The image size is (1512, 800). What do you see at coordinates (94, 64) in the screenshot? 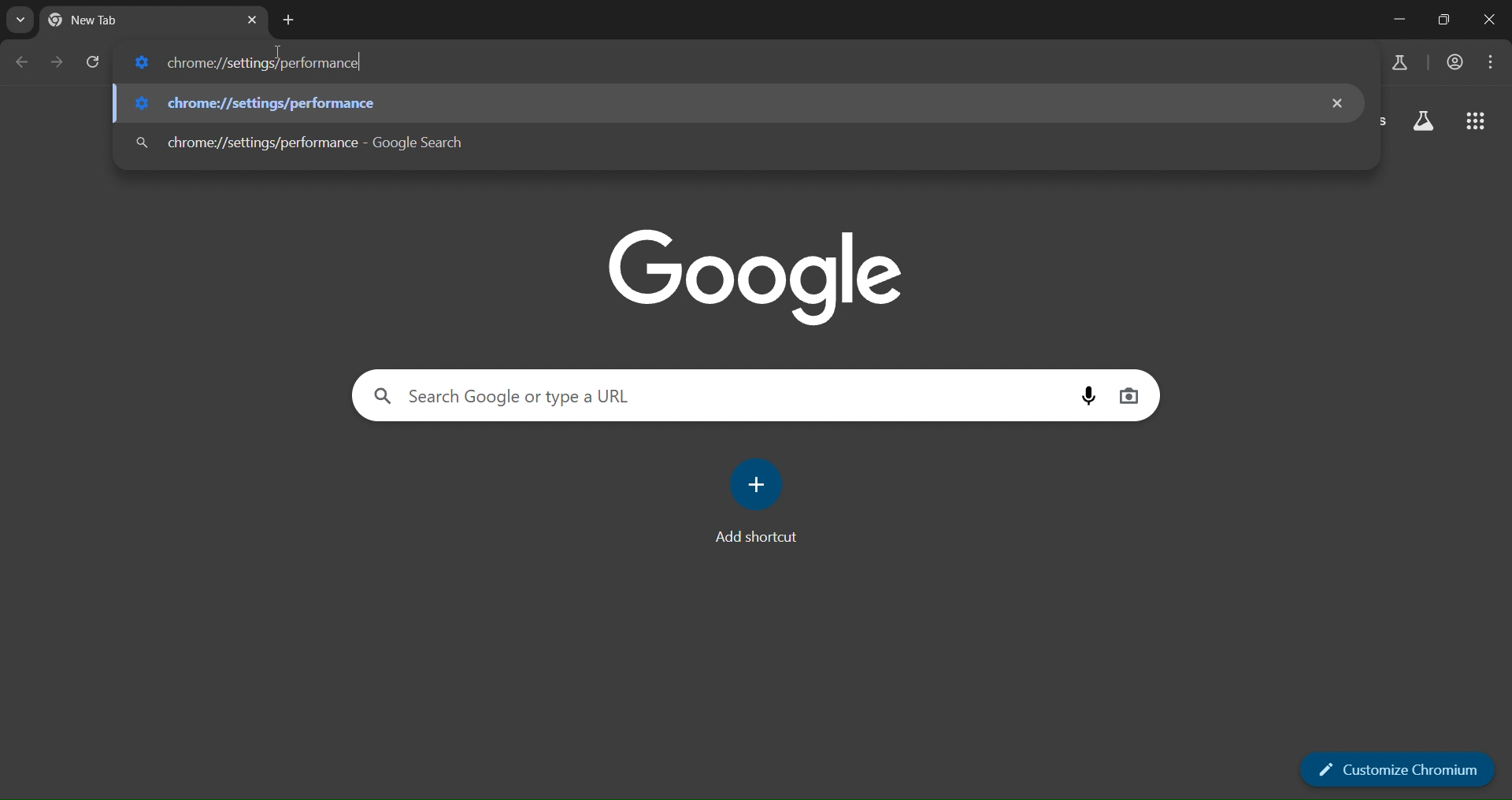
I see `reload page` at bounding box center [94, 64].